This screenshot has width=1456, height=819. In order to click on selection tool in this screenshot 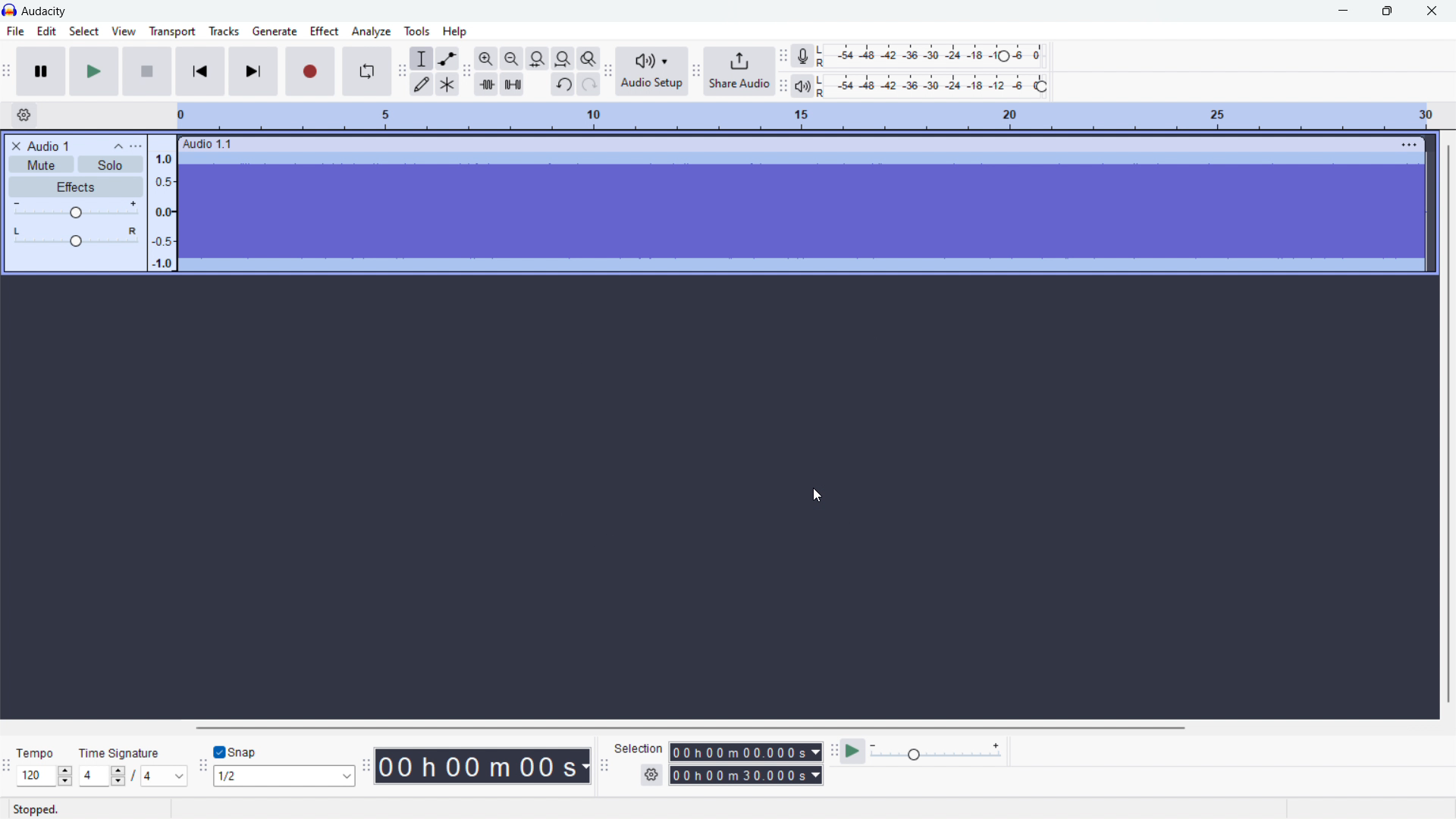, I will do `click(422, 58)`.